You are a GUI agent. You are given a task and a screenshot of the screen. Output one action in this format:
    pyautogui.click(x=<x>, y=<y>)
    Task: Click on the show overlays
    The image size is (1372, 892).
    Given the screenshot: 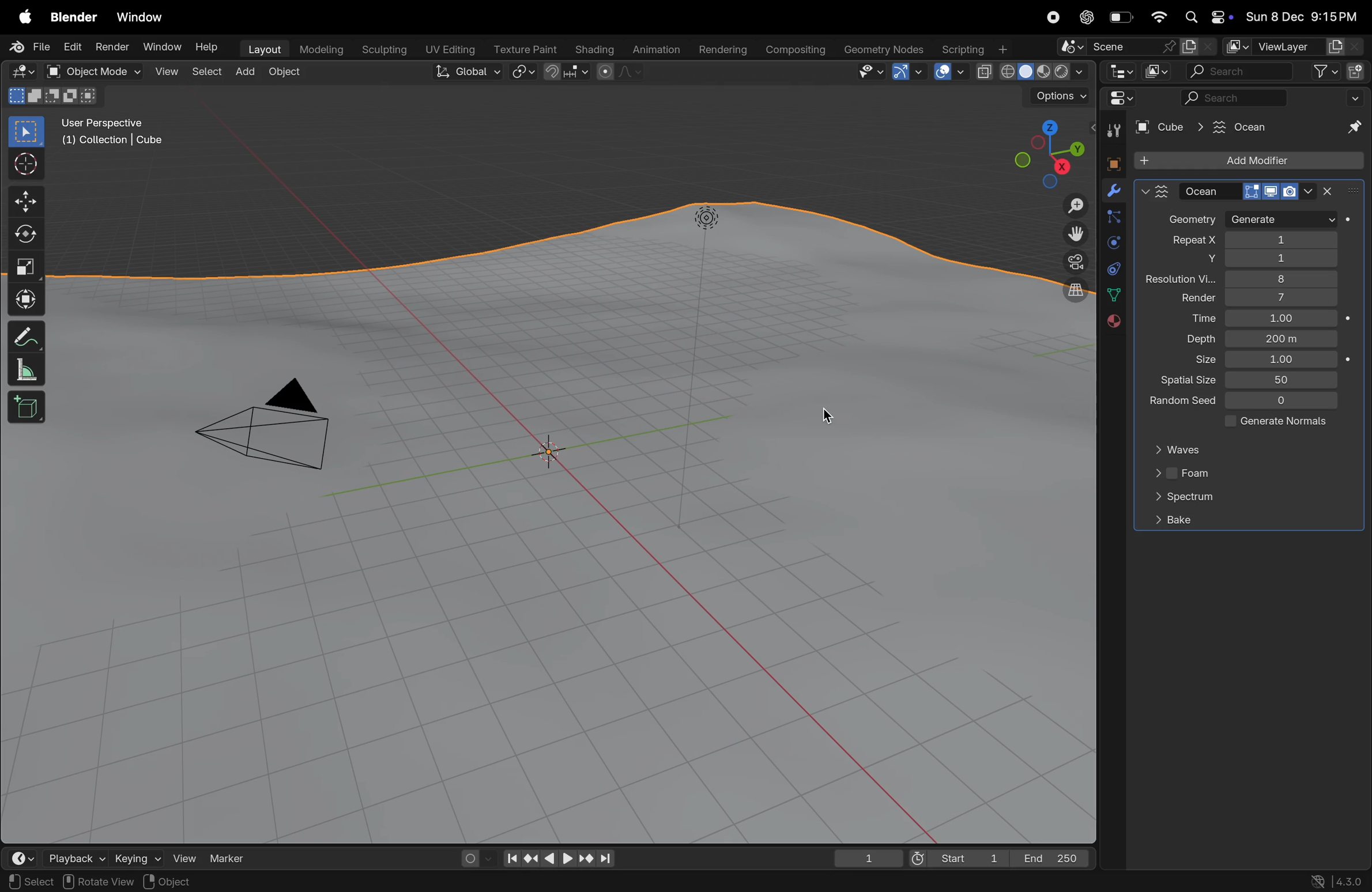 What is the action you would take?
    pyautogui.click(x=949, y=71)
    